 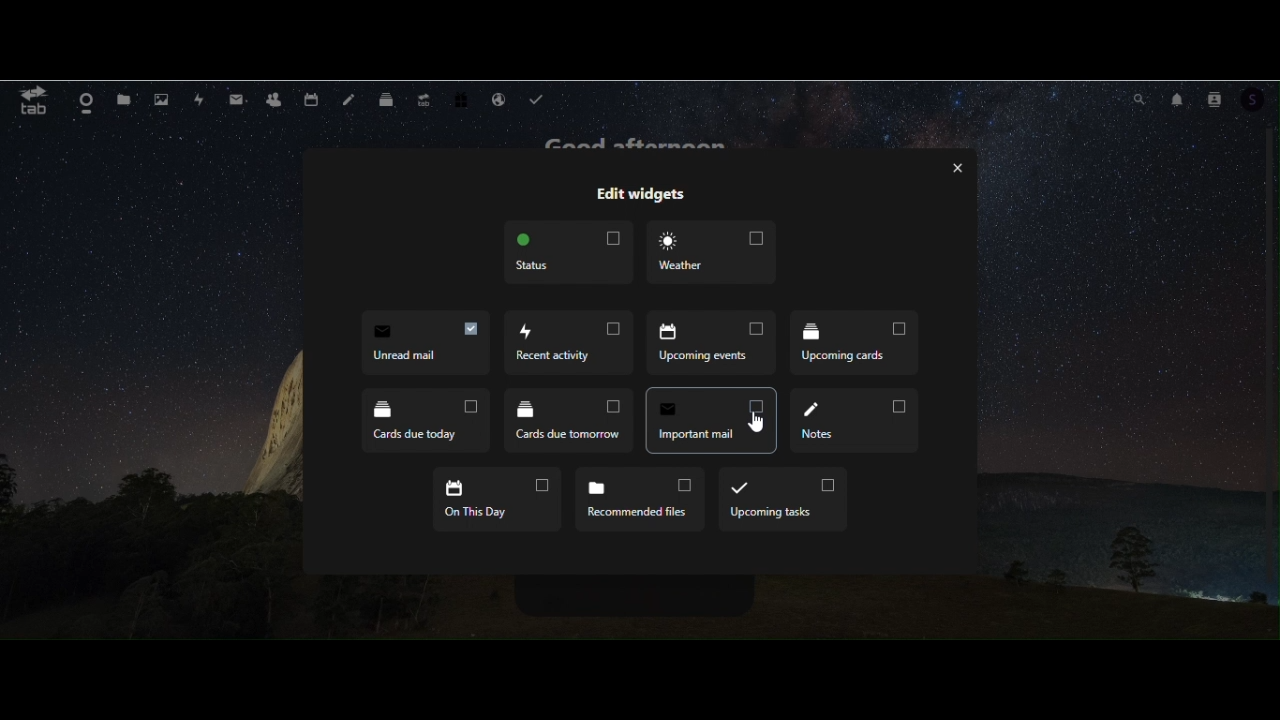 I want to click on Important mail, so click(x=567, y=423).